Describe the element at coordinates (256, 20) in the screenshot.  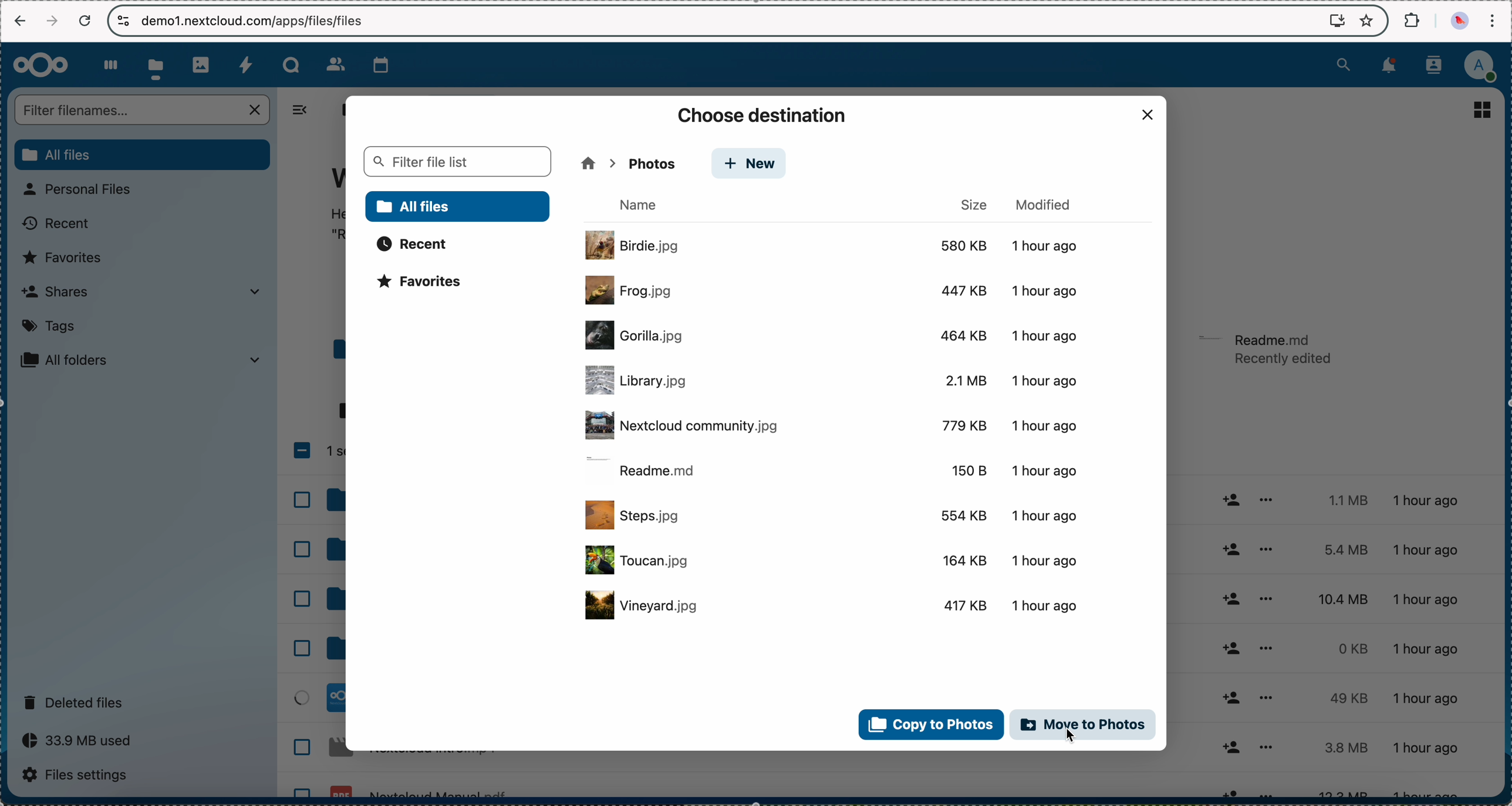
I see `URL` at that location.